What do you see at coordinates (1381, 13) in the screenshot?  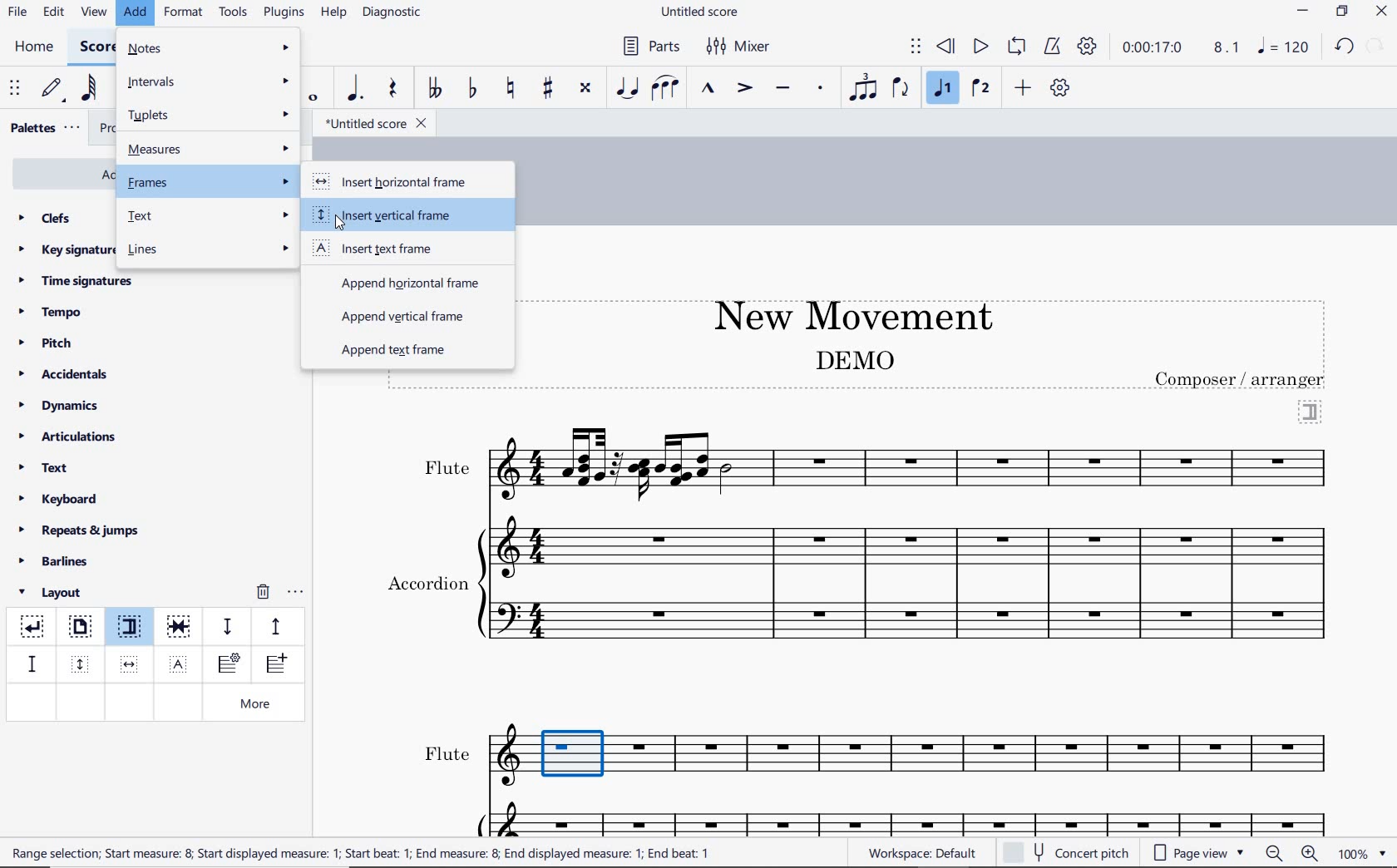 I see `close` at bounding box center [1381, 13].